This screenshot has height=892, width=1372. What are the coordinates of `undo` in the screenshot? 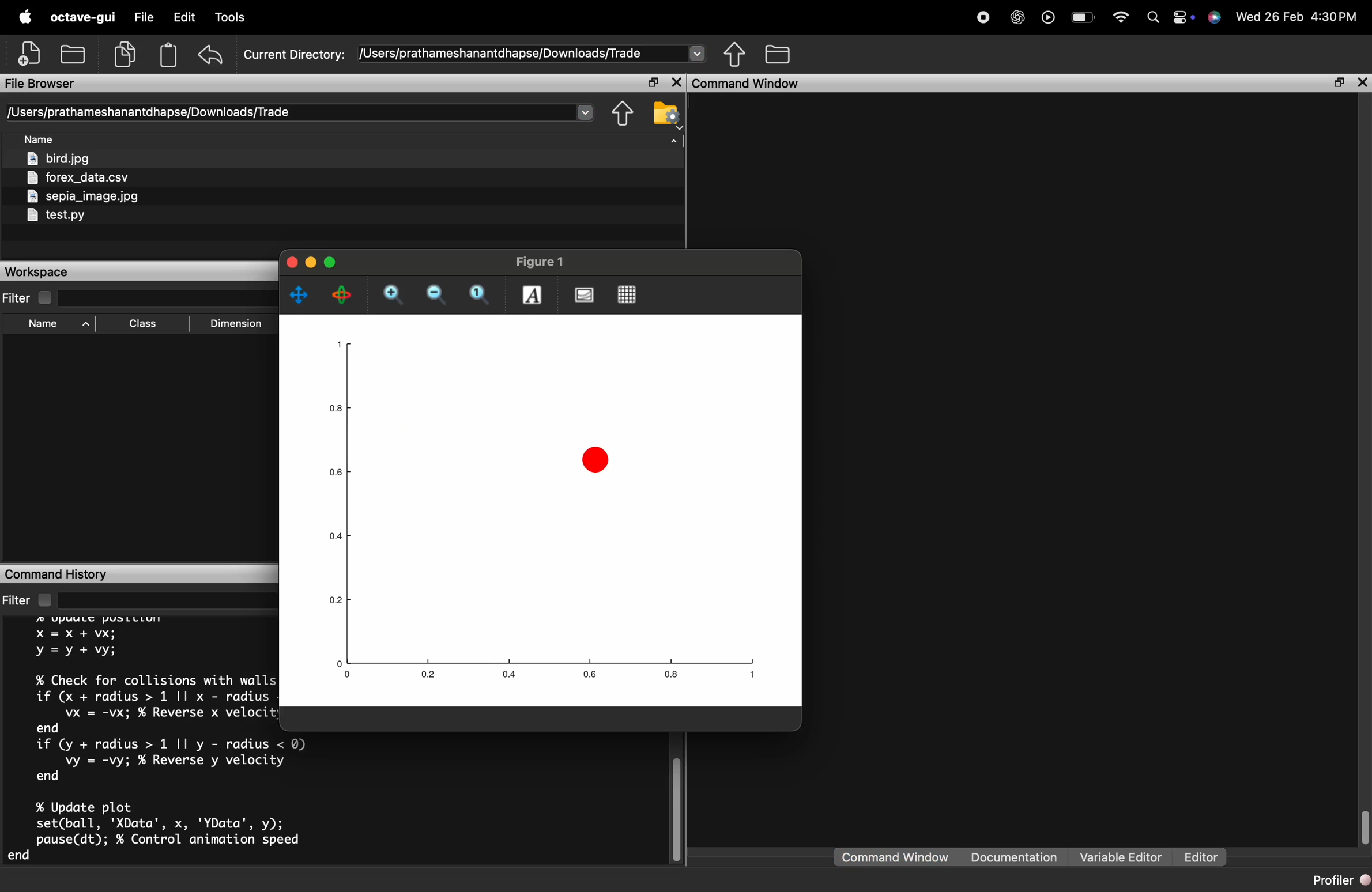 It's located at (210, 54).